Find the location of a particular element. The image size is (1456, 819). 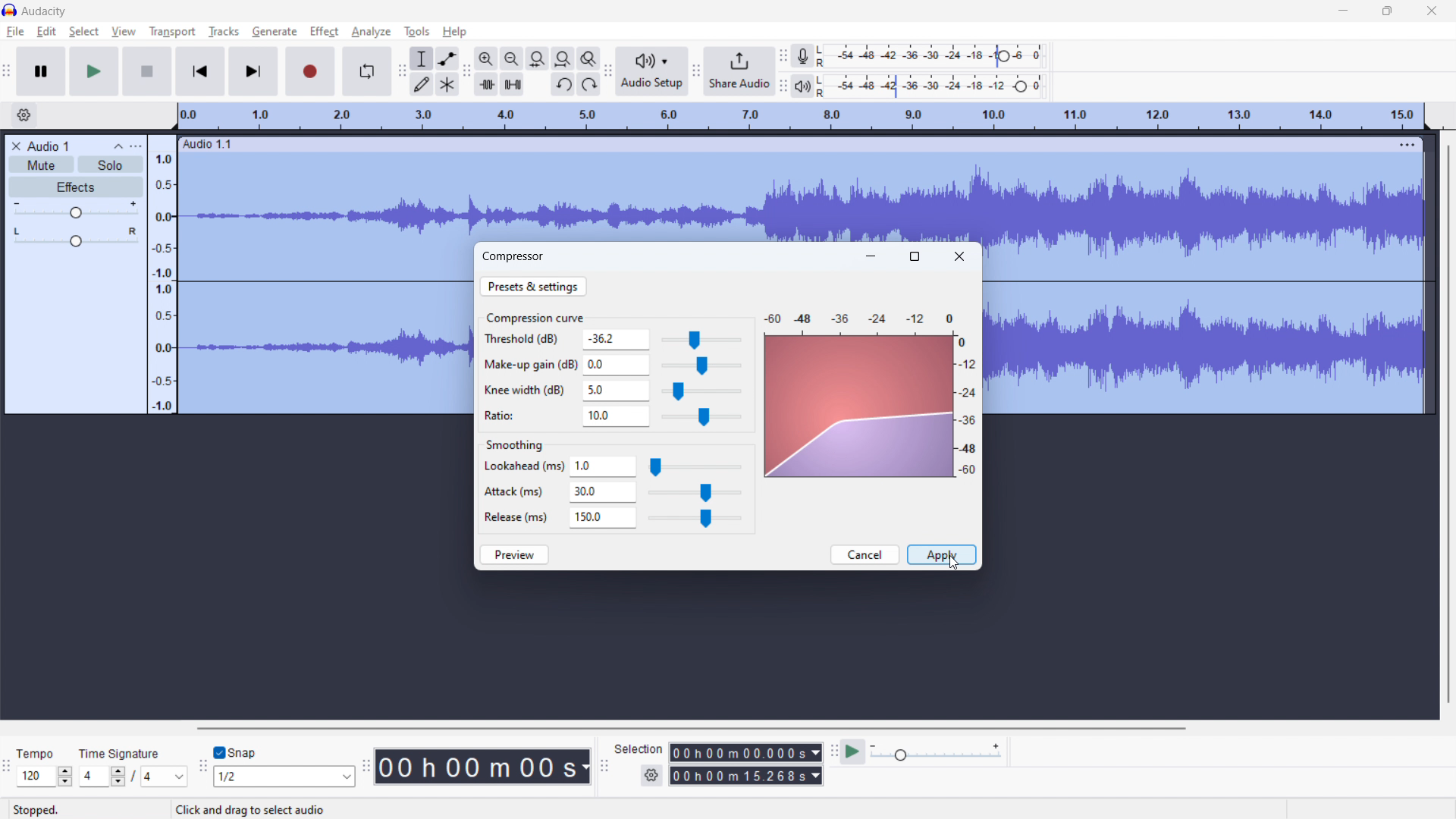

toggle zoom is located at coordinates (589, 58).